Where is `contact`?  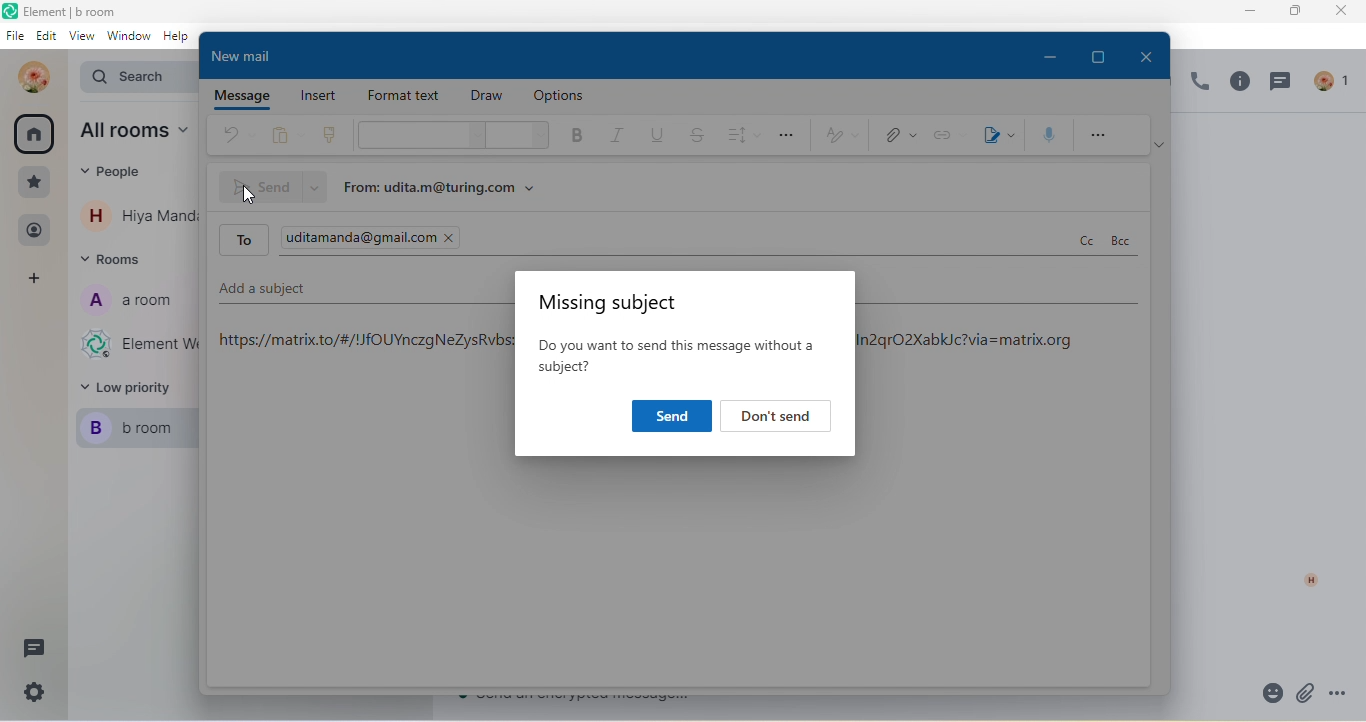
contact is located at coordinates (137, 215).